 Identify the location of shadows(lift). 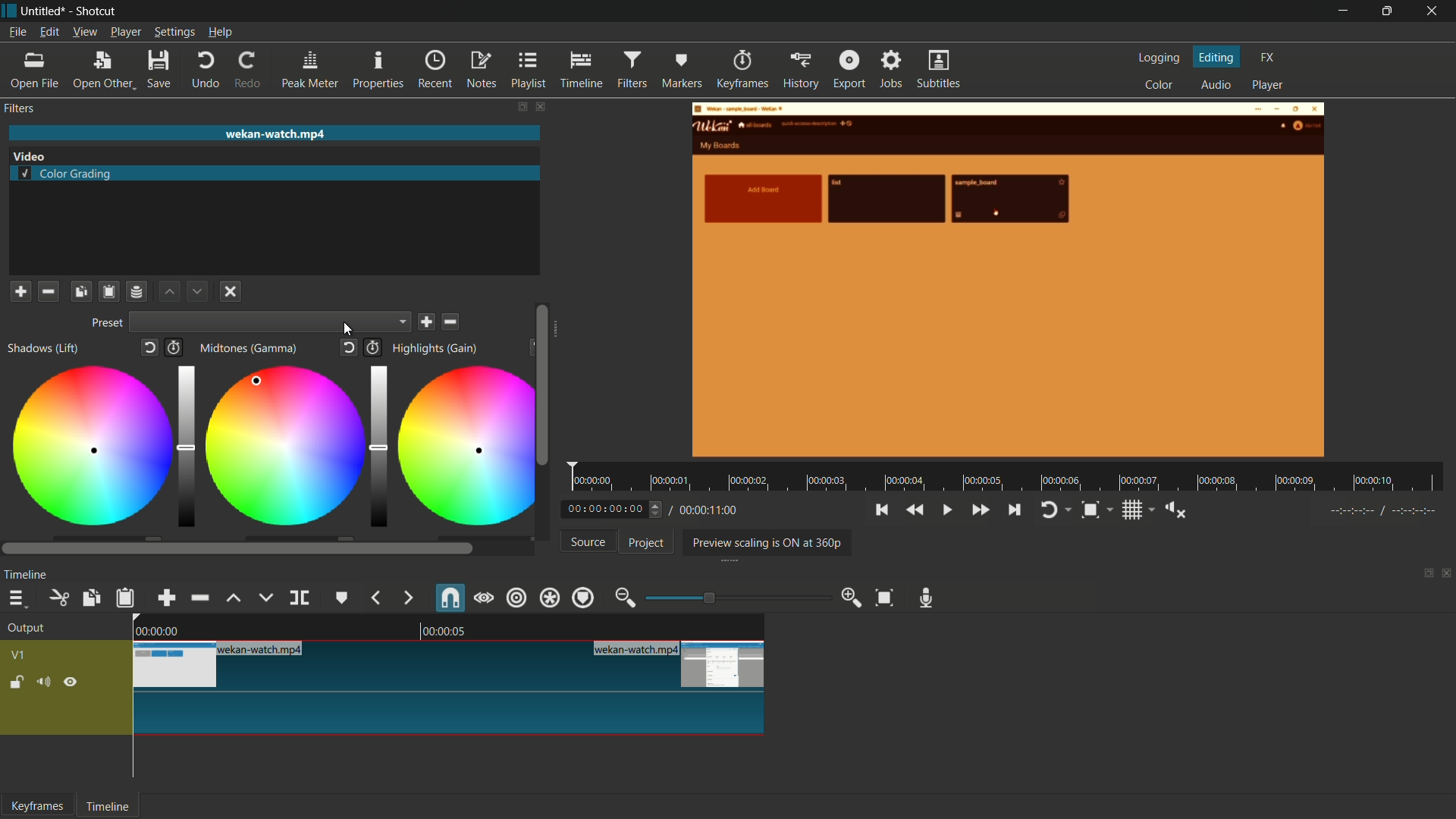
(45, 348).